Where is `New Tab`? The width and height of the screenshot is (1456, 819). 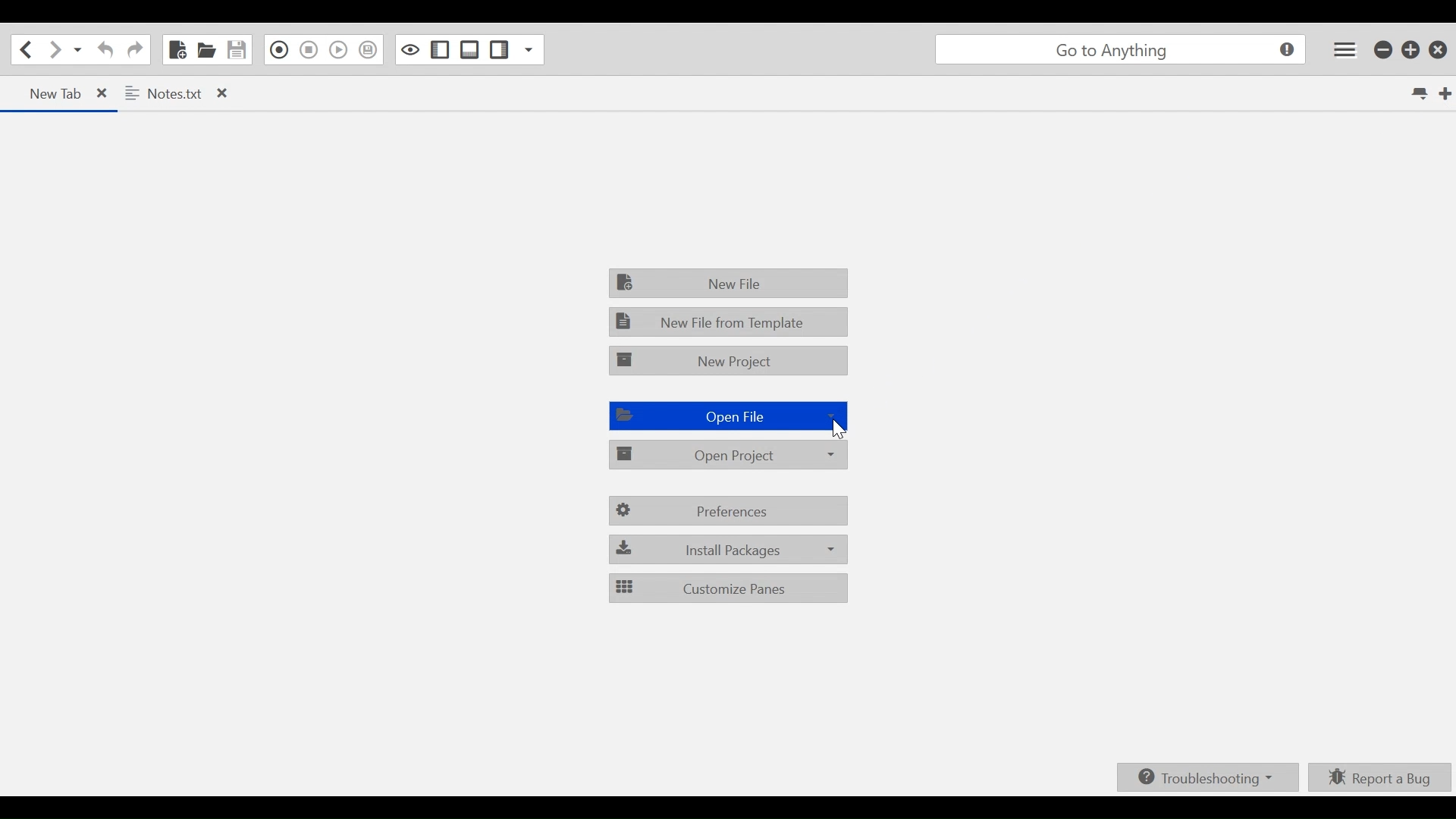 New Tab is located at coordinates (1445, 93).